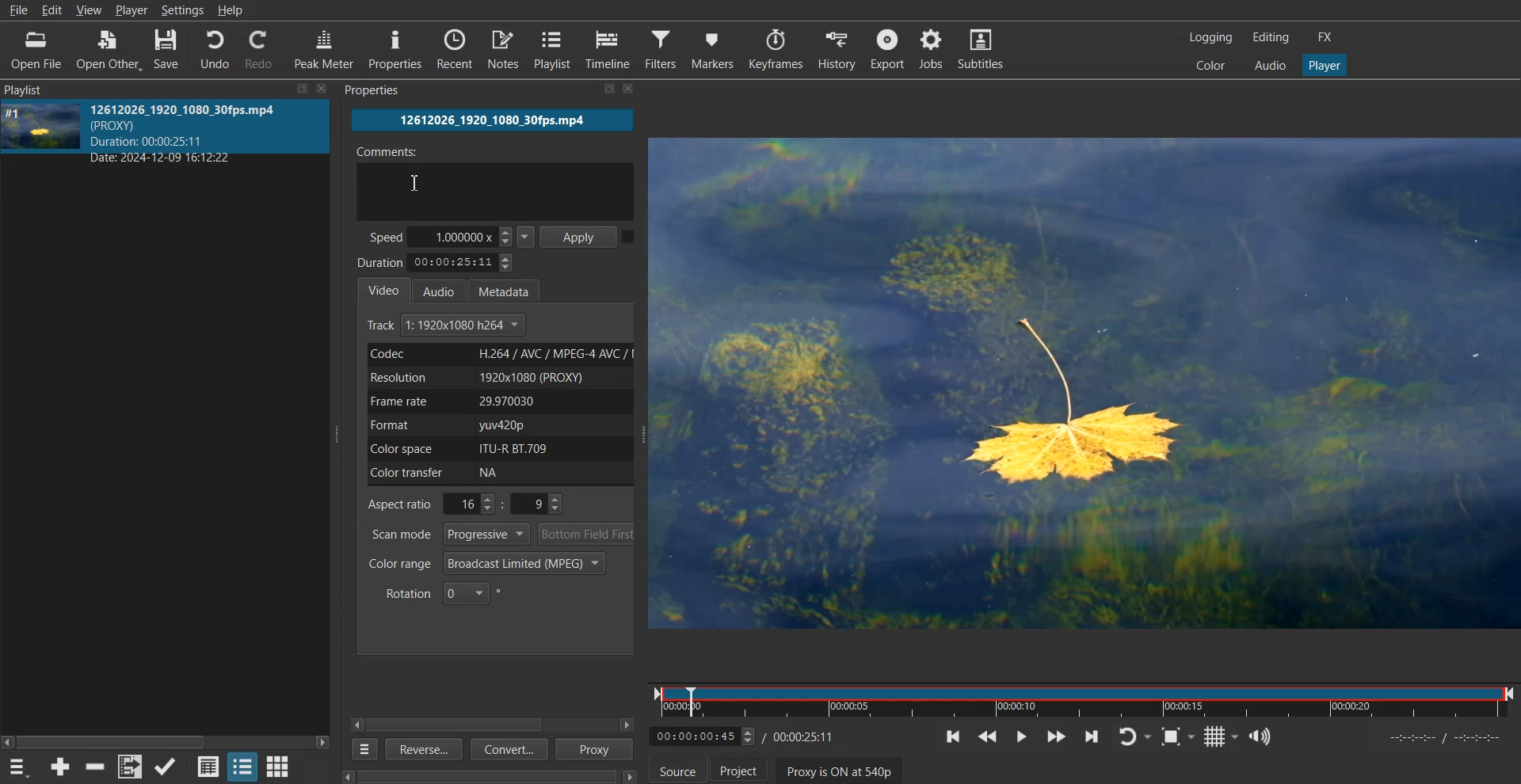  What do you see at coordinates (42, 132) in the screenshot?
I see `MP4 cover image` at bounding box center [42, 132].